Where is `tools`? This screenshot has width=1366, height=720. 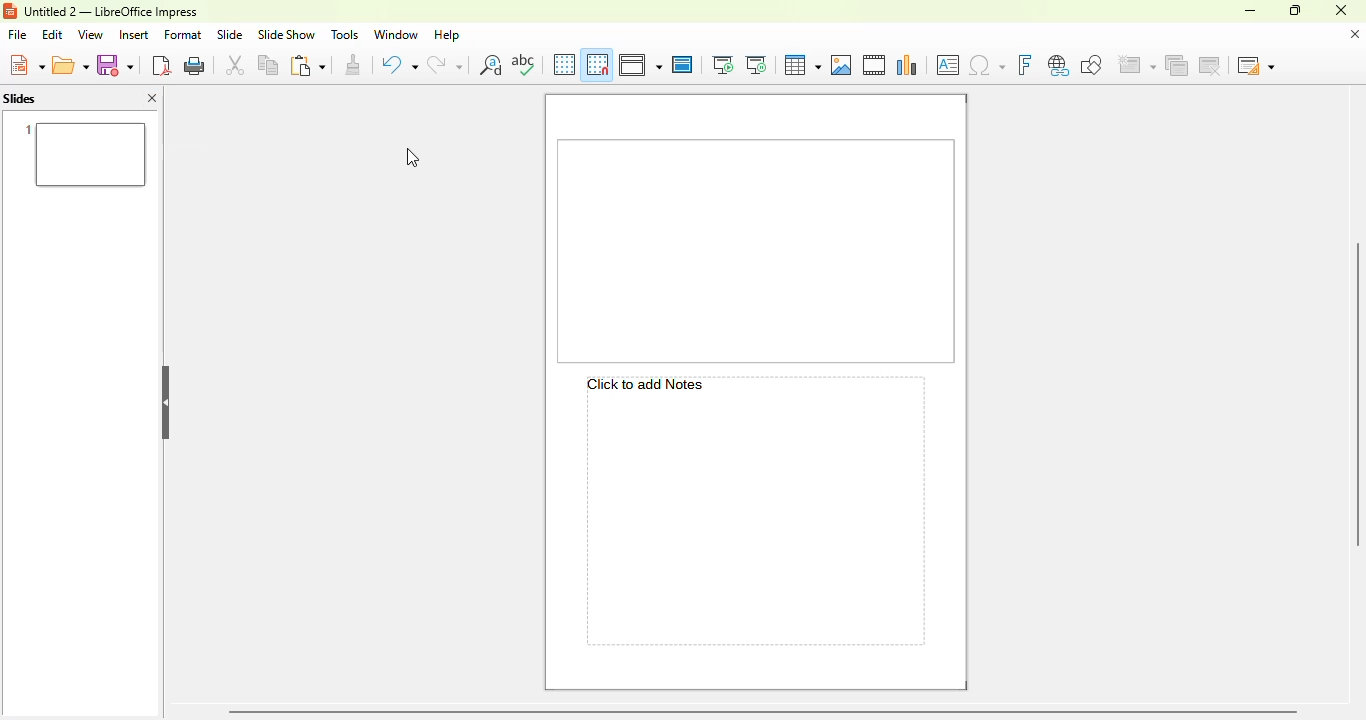
tools is located at coordinates (345, 34).